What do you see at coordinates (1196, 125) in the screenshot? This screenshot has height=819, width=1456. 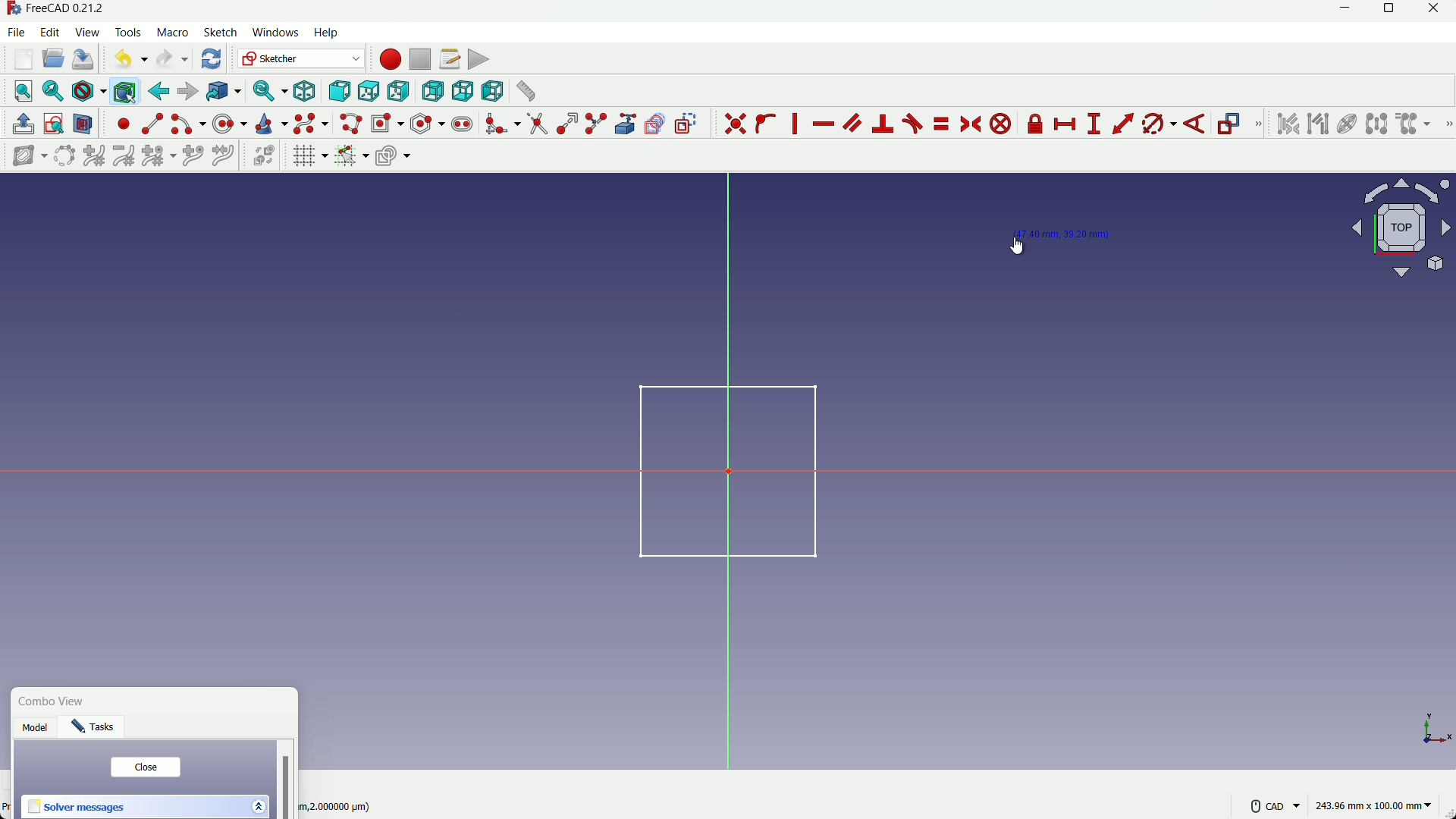 I see `constraint angle` at bounding box center [1196, 125].